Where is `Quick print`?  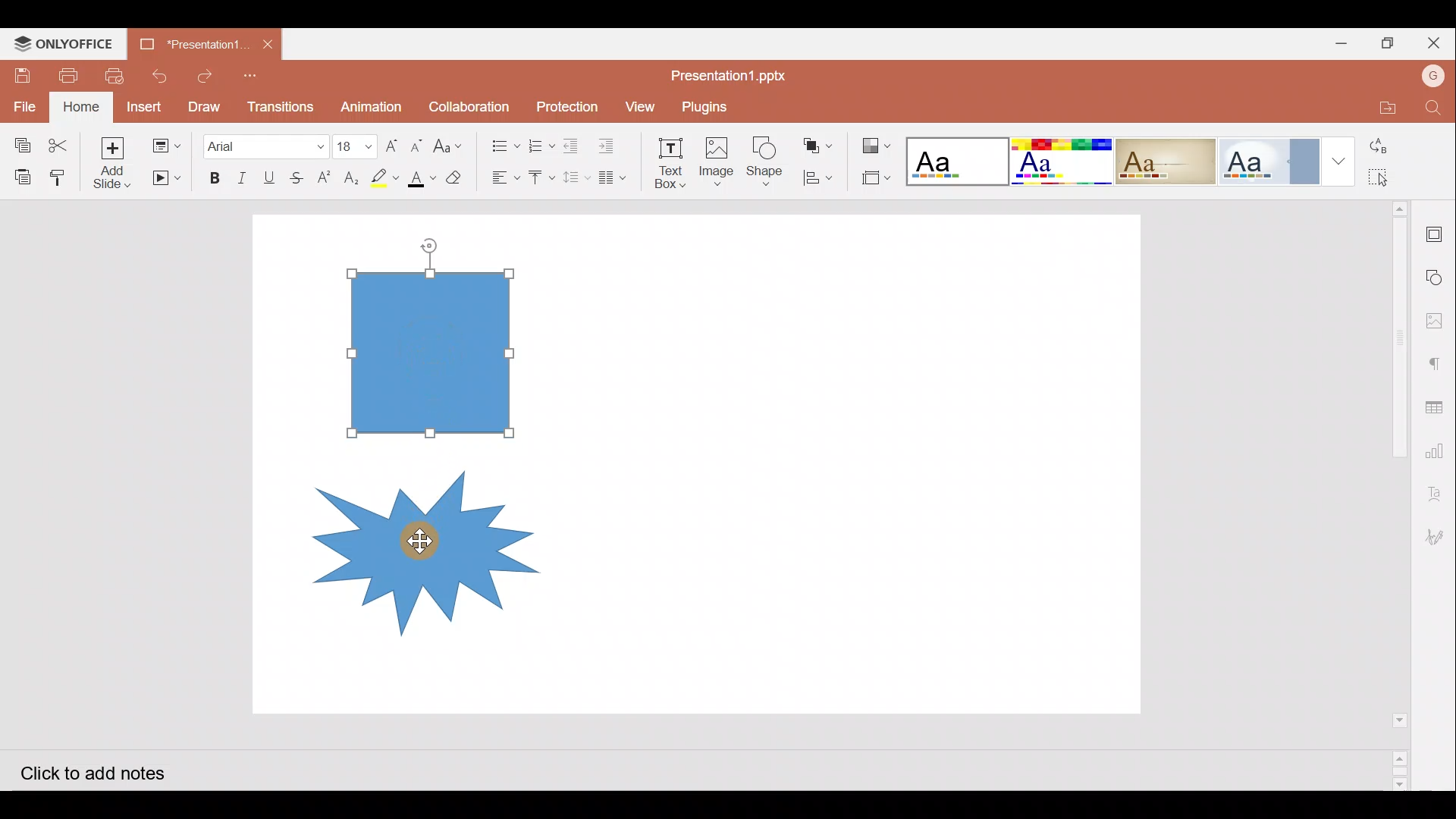 Quick print is located at coordinates (118, 73).